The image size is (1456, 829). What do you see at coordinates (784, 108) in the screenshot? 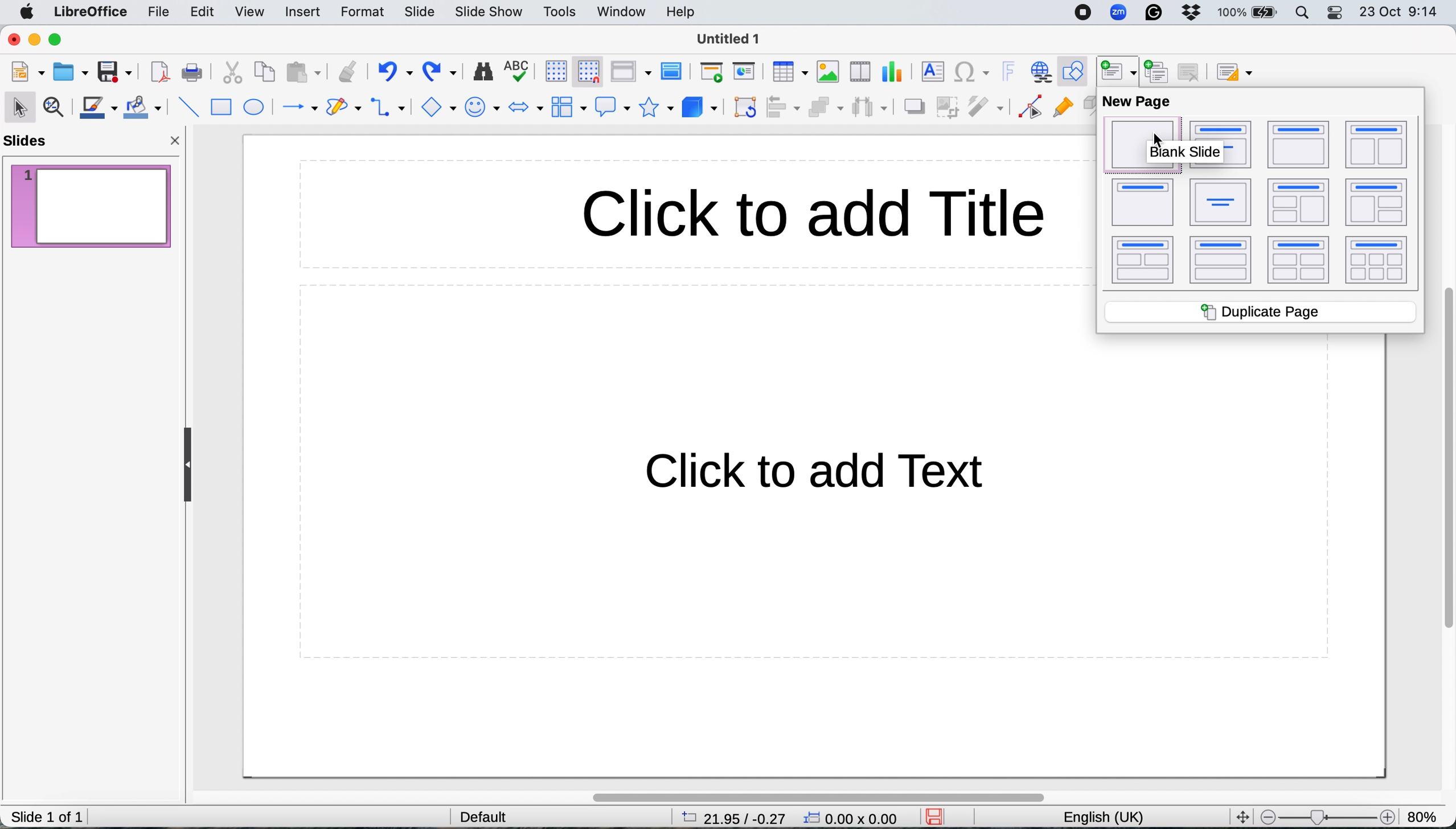
I see `align objects` at bounding box center [784, 108].